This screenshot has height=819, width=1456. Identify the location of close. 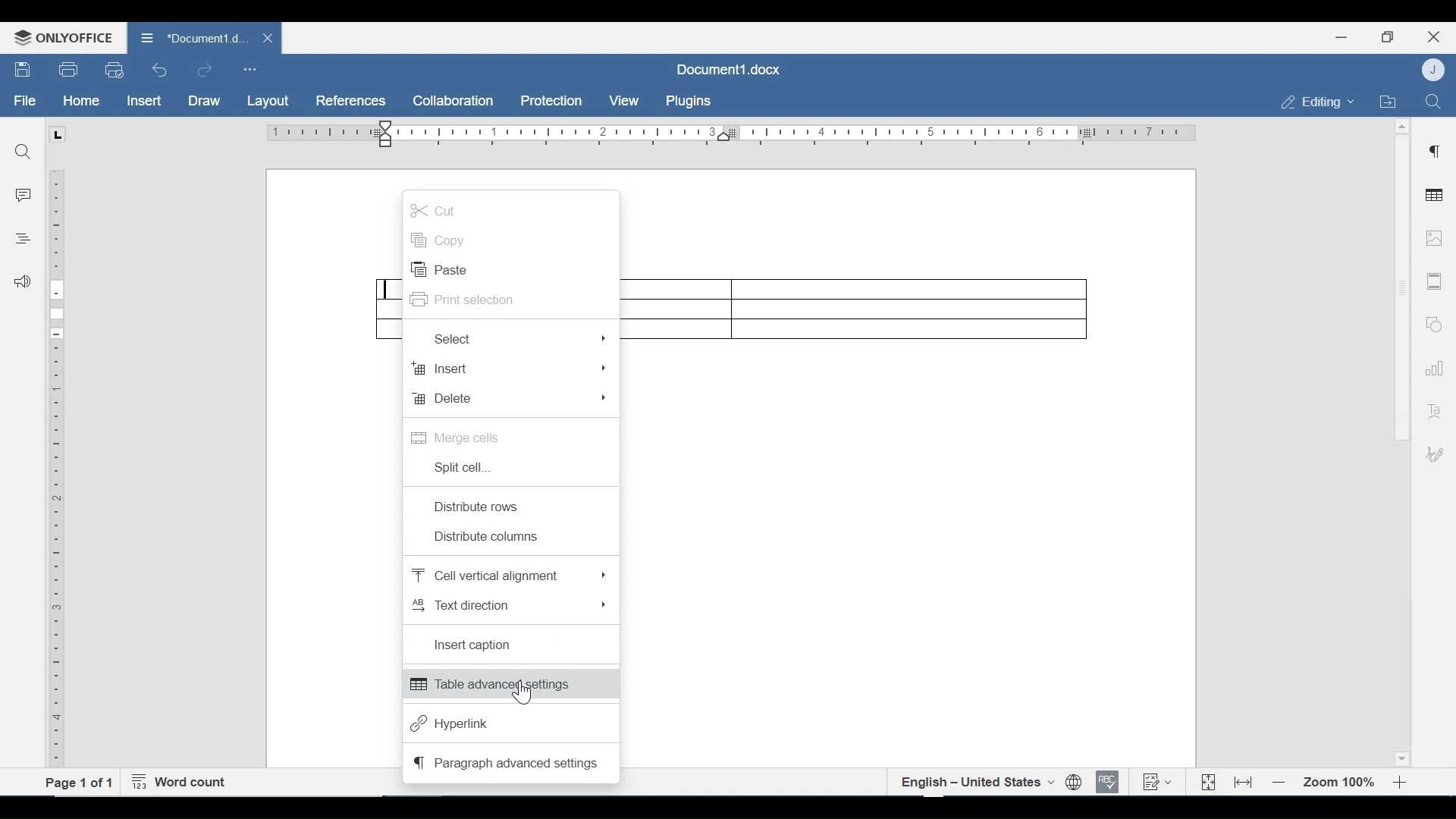
(270, 37).